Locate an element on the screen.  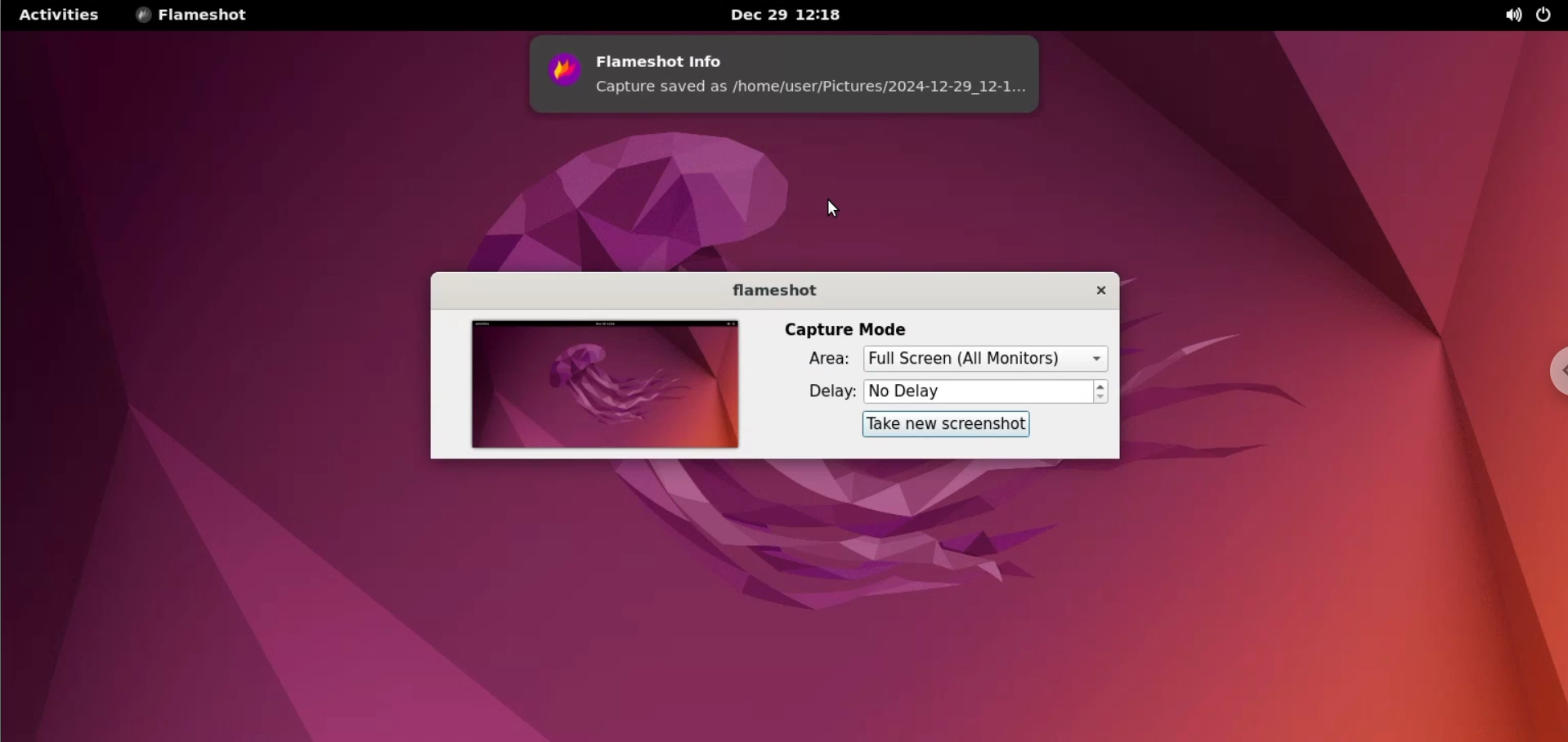
chrome options is located at coordinates (1558, 369).